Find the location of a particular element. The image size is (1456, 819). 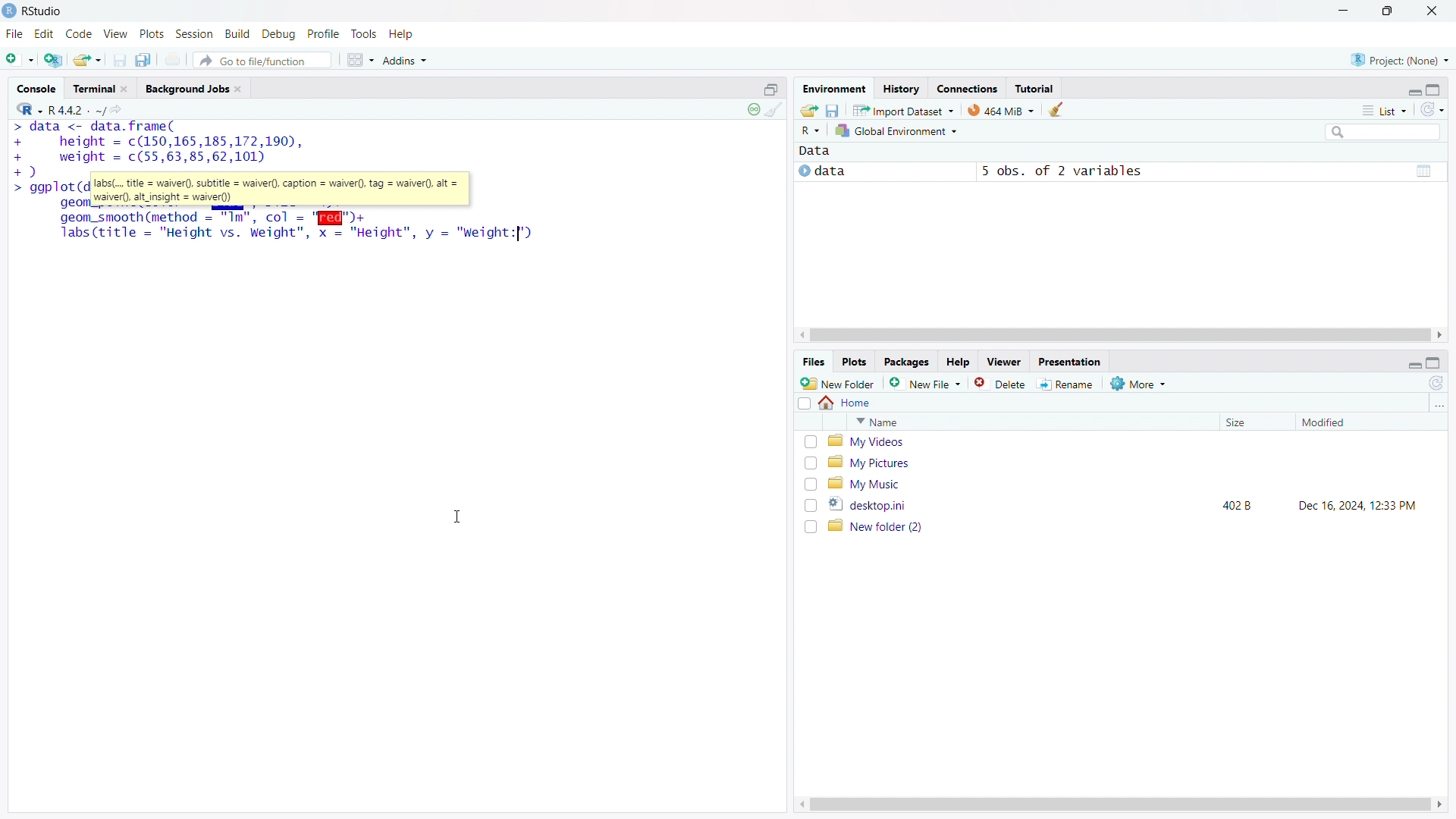

+) is located at coordinates (25, 171).